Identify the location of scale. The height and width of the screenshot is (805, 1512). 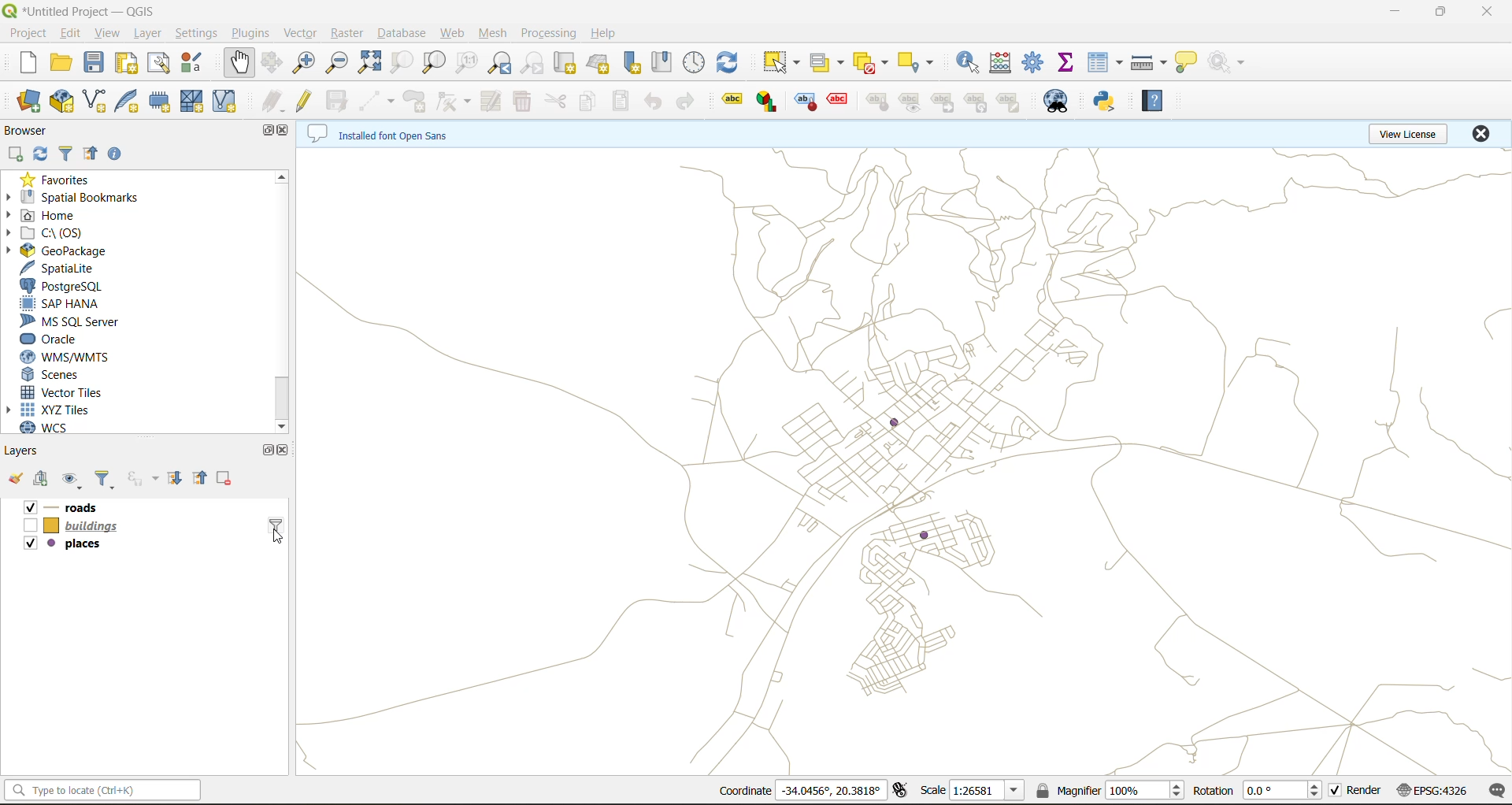
(976, 792).